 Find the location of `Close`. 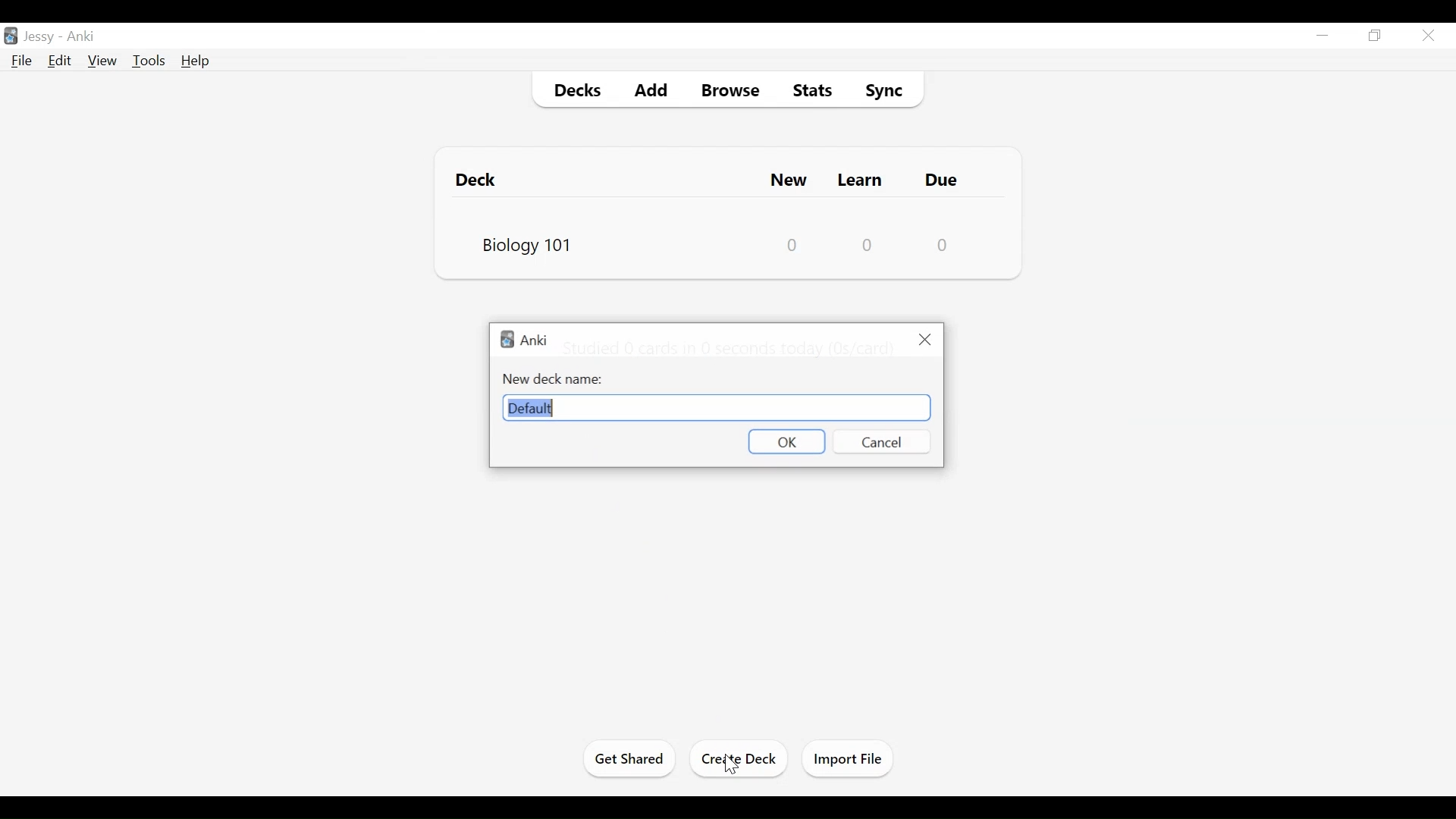

Close is located at coordinates (923, 340).